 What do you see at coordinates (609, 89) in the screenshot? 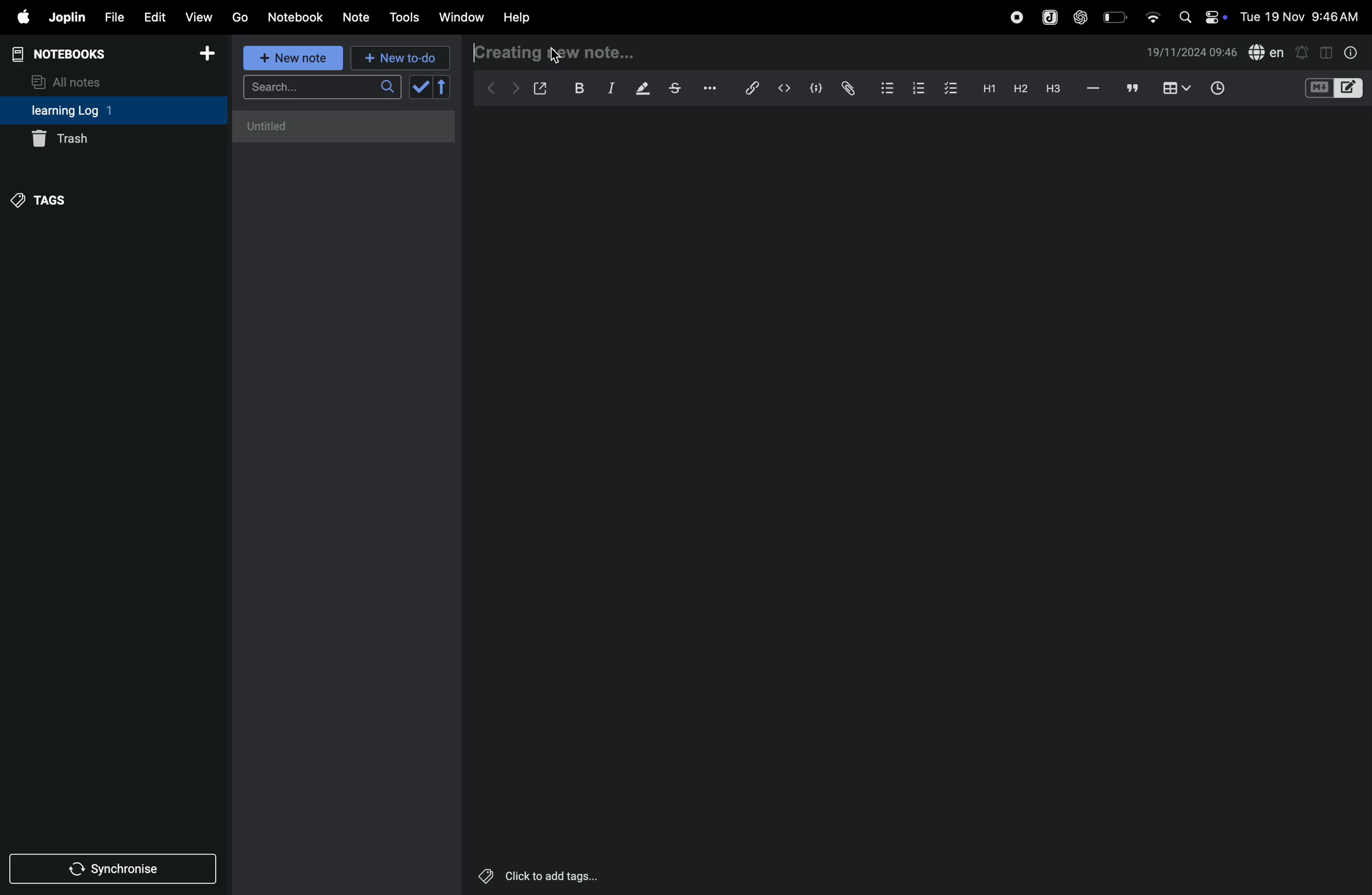
I see `itallic` at bounding box center [609, 89].